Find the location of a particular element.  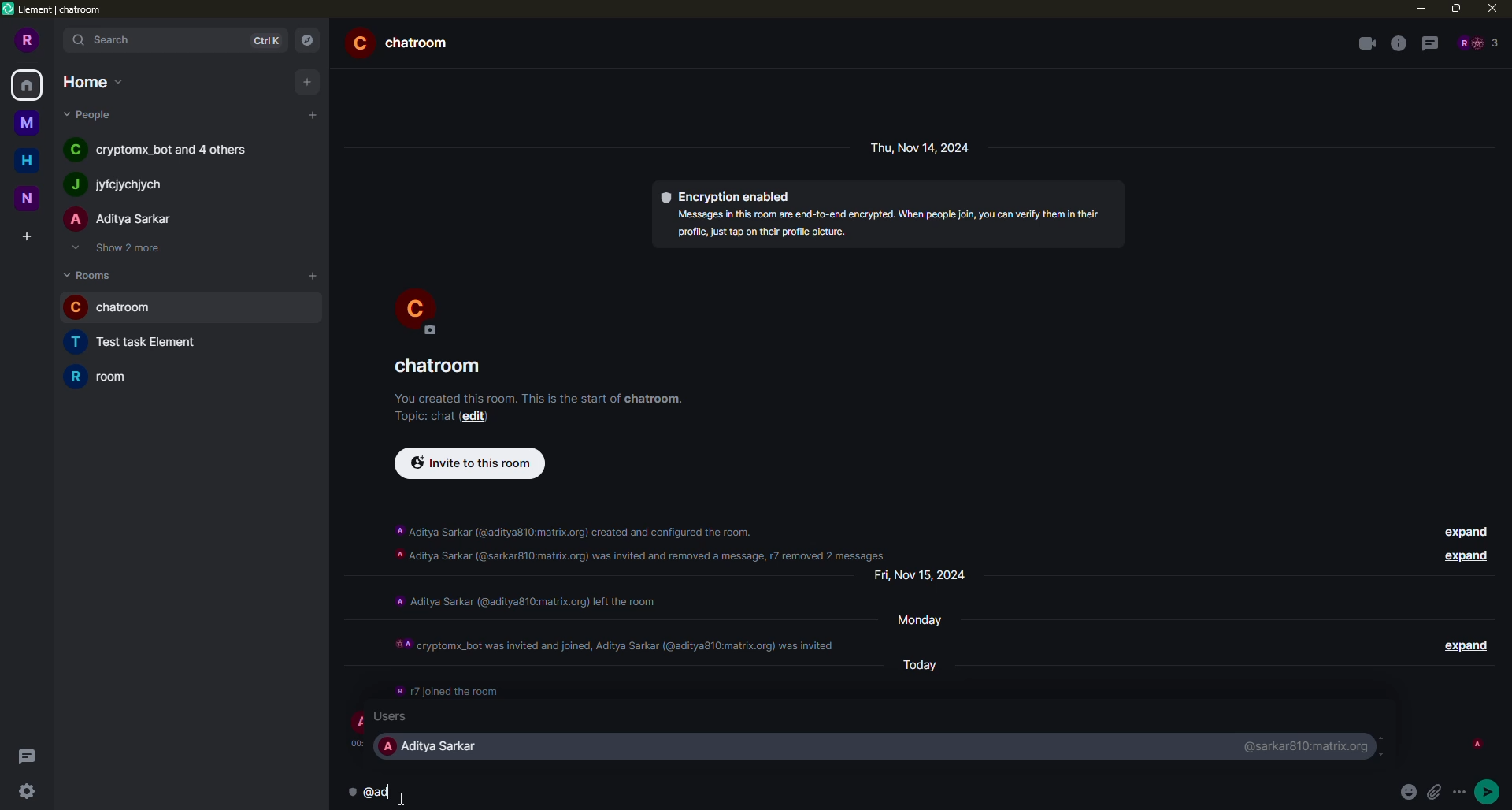

quick settings is located at coordinates (25, 793).